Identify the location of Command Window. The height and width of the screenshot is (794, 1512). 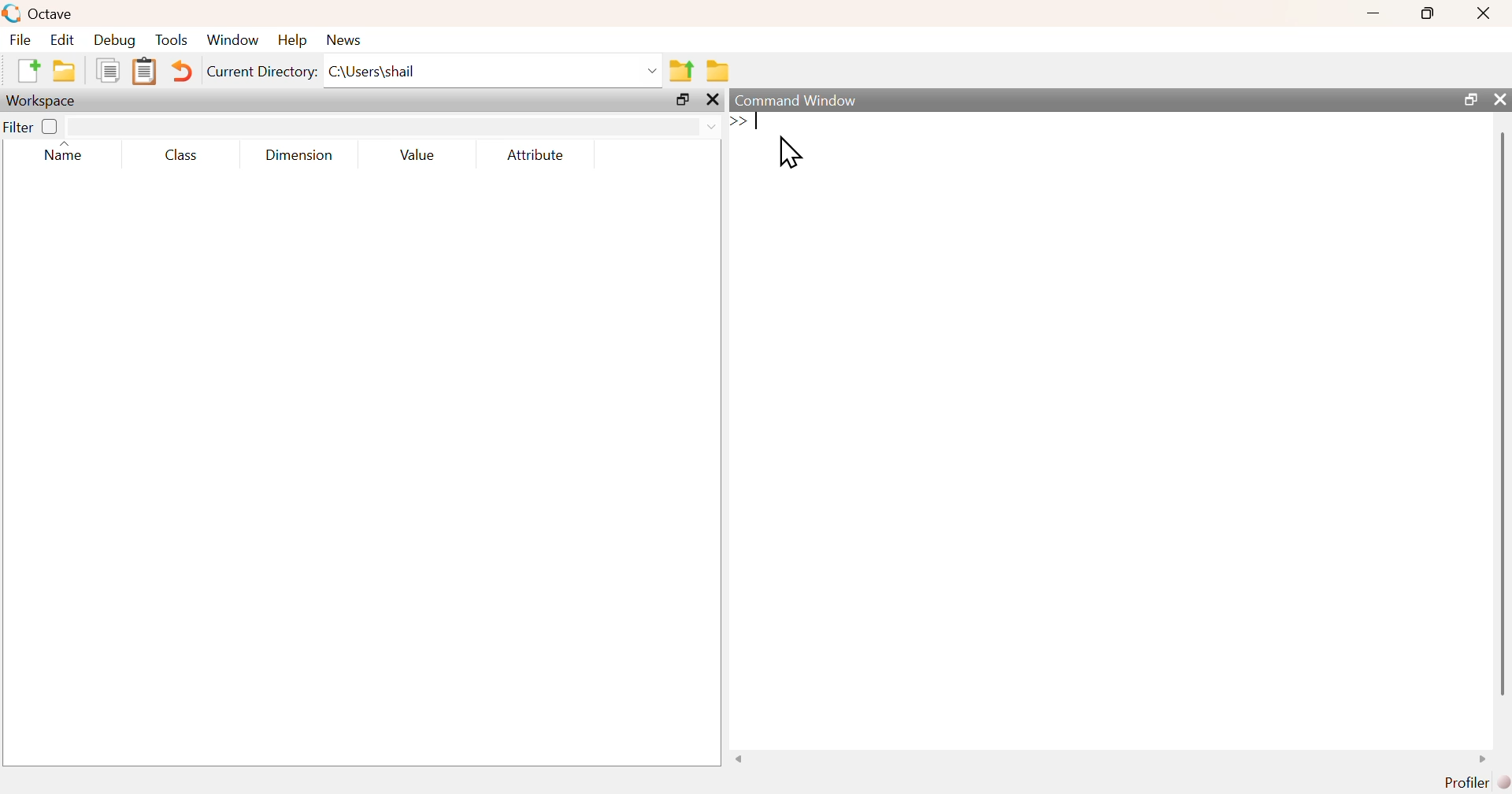
(798, 100).